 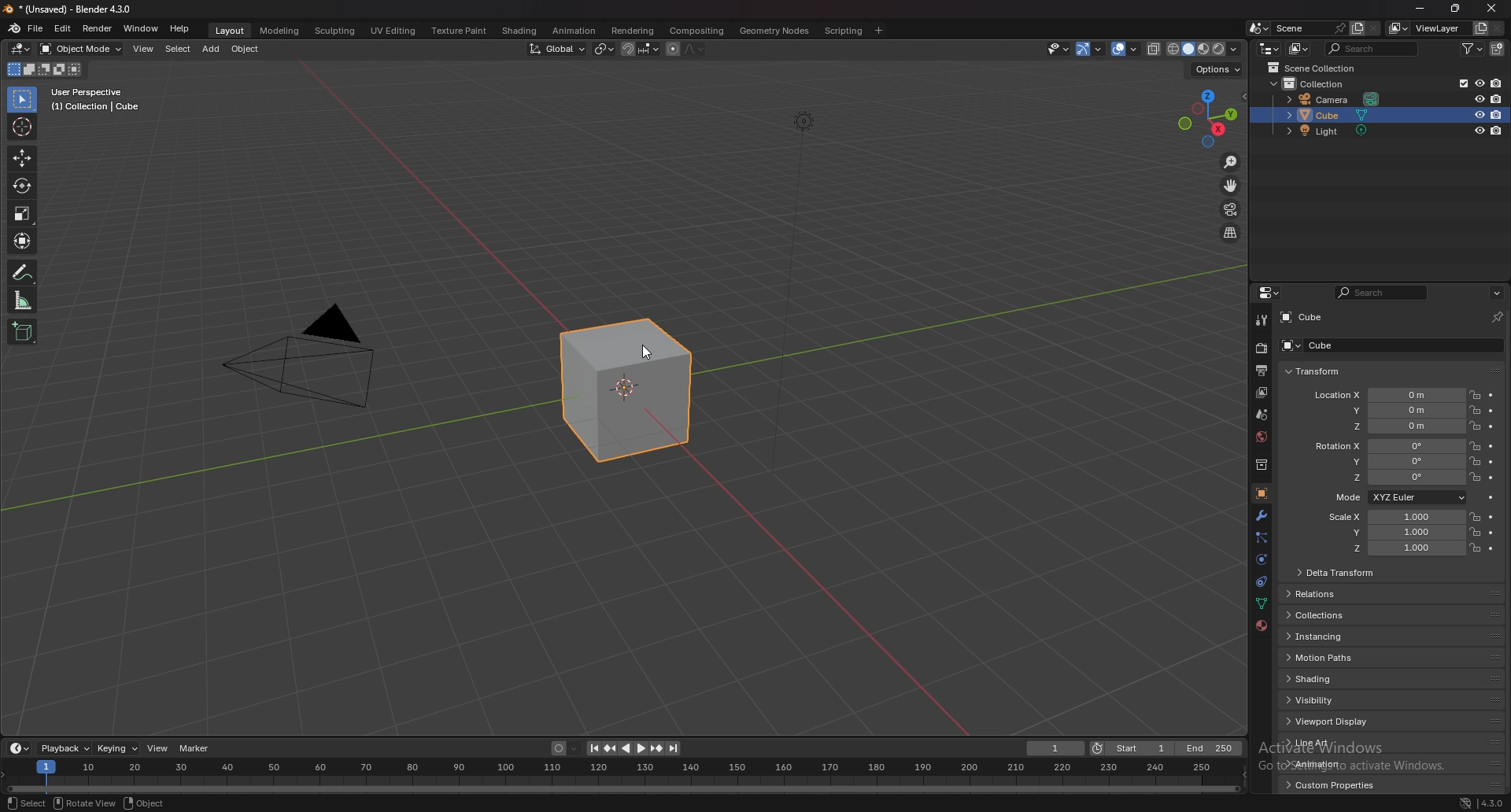 What do you see at coordinates (98, 29) in the screenshot?
I see `render` at bounding box center [98, 29].